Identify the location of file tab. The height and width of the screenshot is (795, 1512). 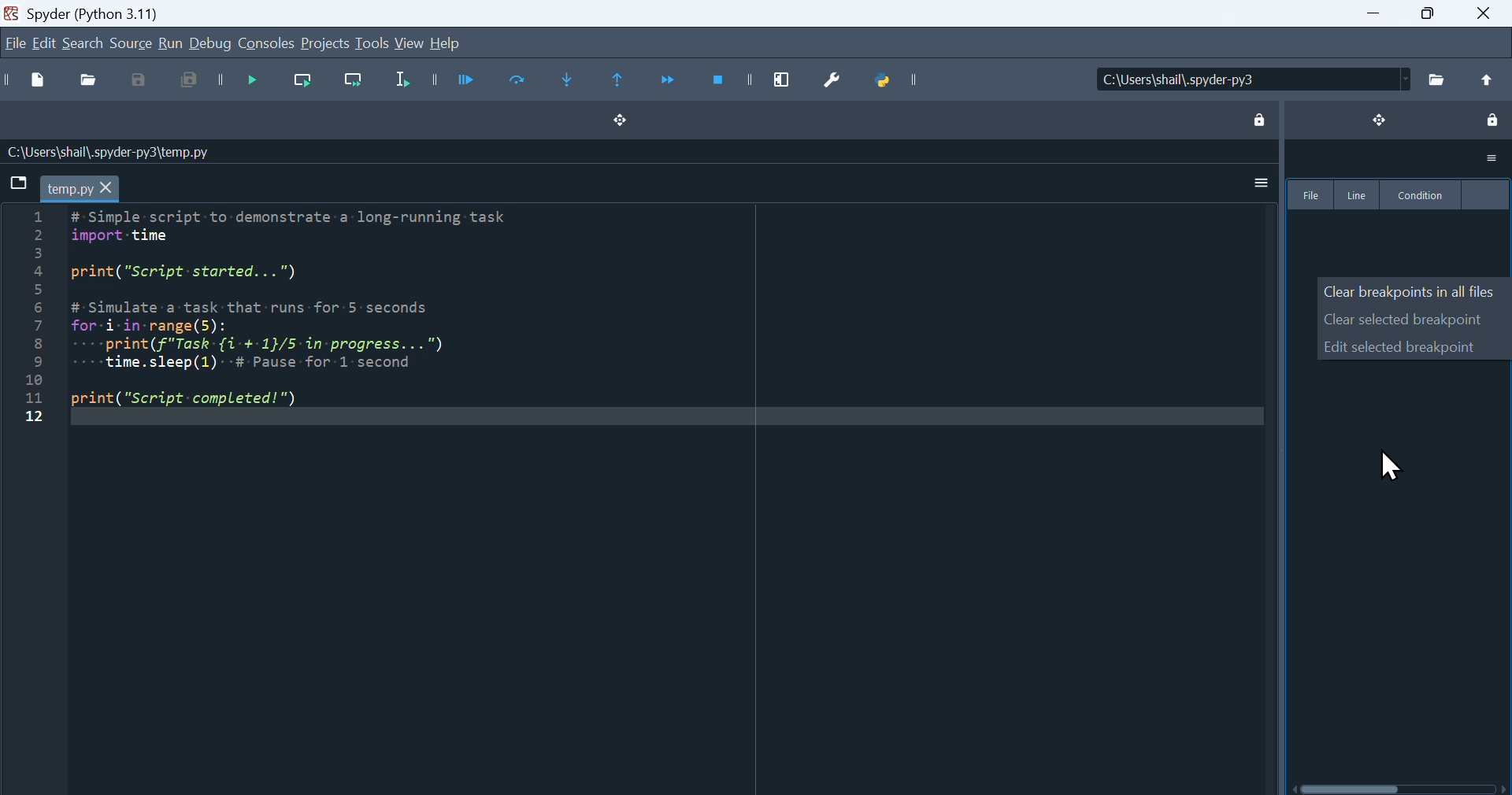
(80, 189).